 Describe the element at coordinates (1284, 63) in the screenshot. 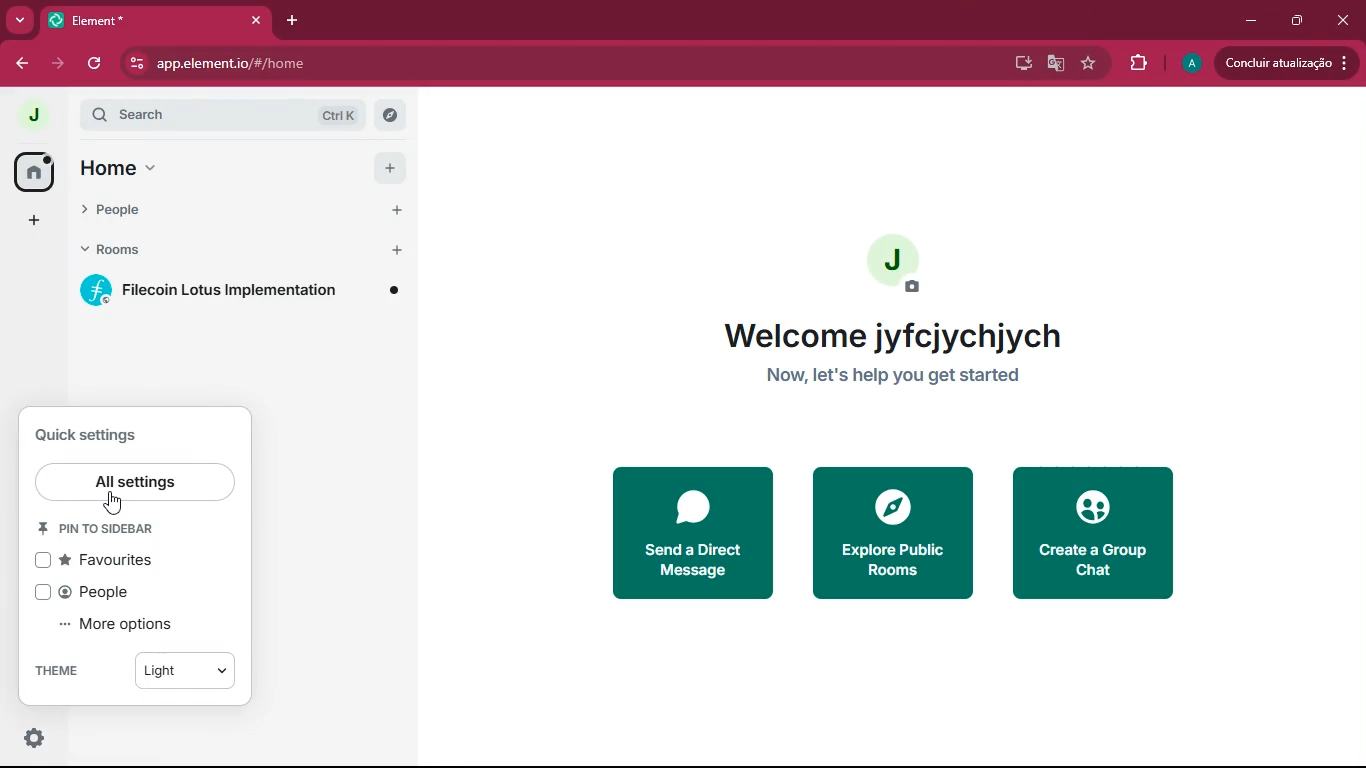

I see `Conduir atualizacado` at that location.